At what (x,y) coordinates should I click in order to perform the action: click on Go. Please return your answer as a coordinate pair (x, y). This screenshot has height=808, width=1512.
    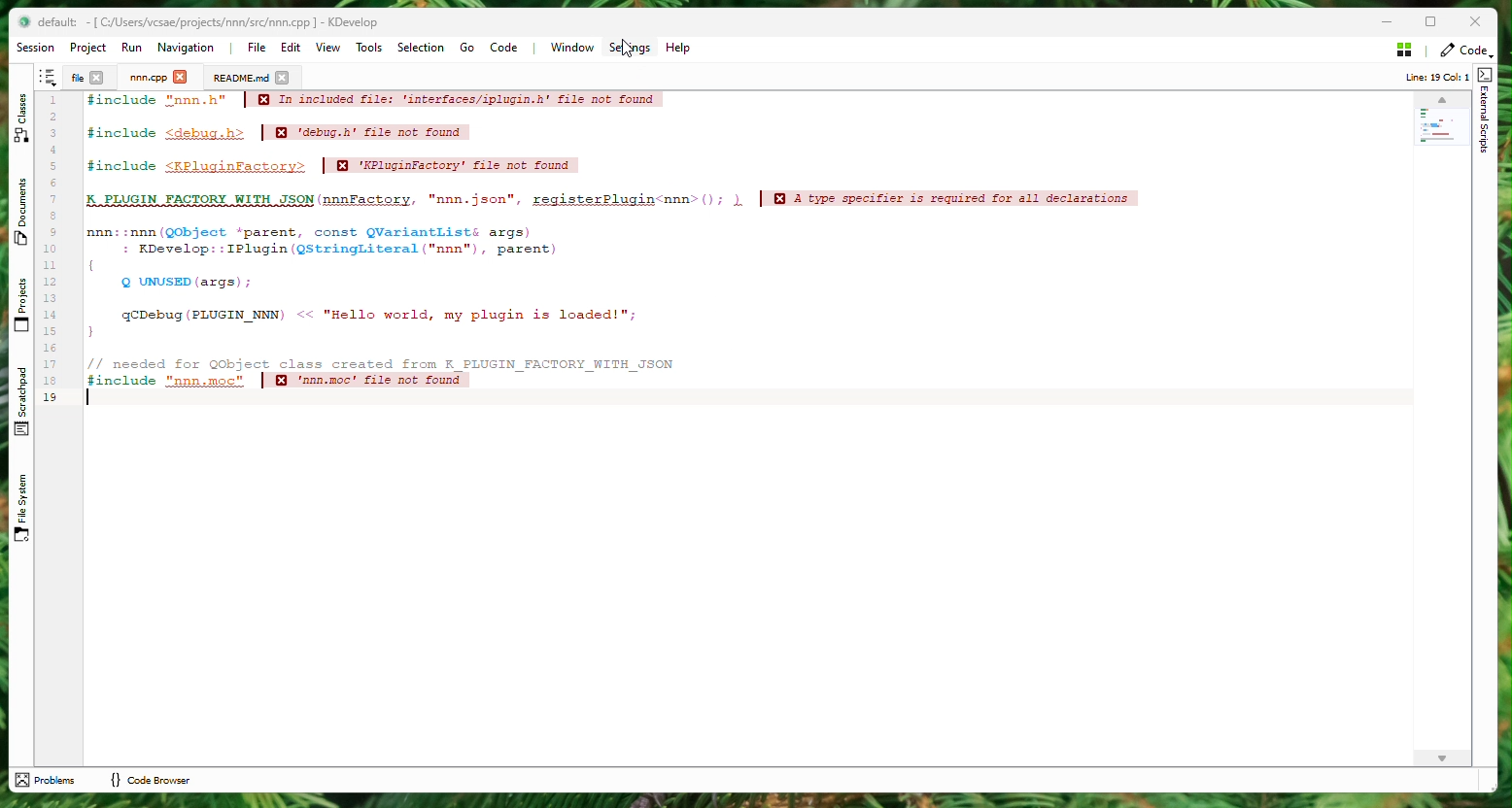
    Looking at the image, I should click on (468, 49).